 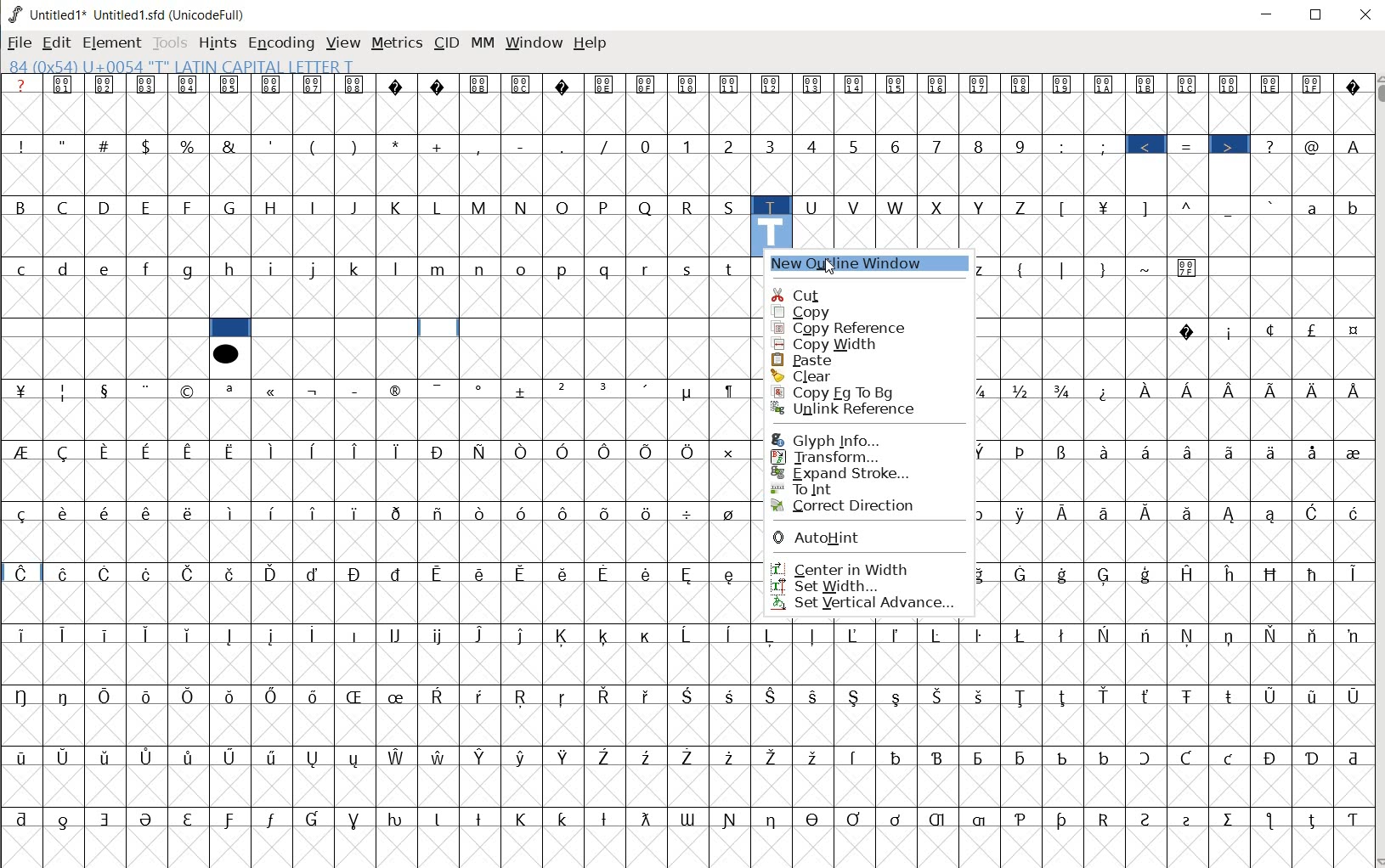 I want to click on Symbol, so click(x=565, y=816).